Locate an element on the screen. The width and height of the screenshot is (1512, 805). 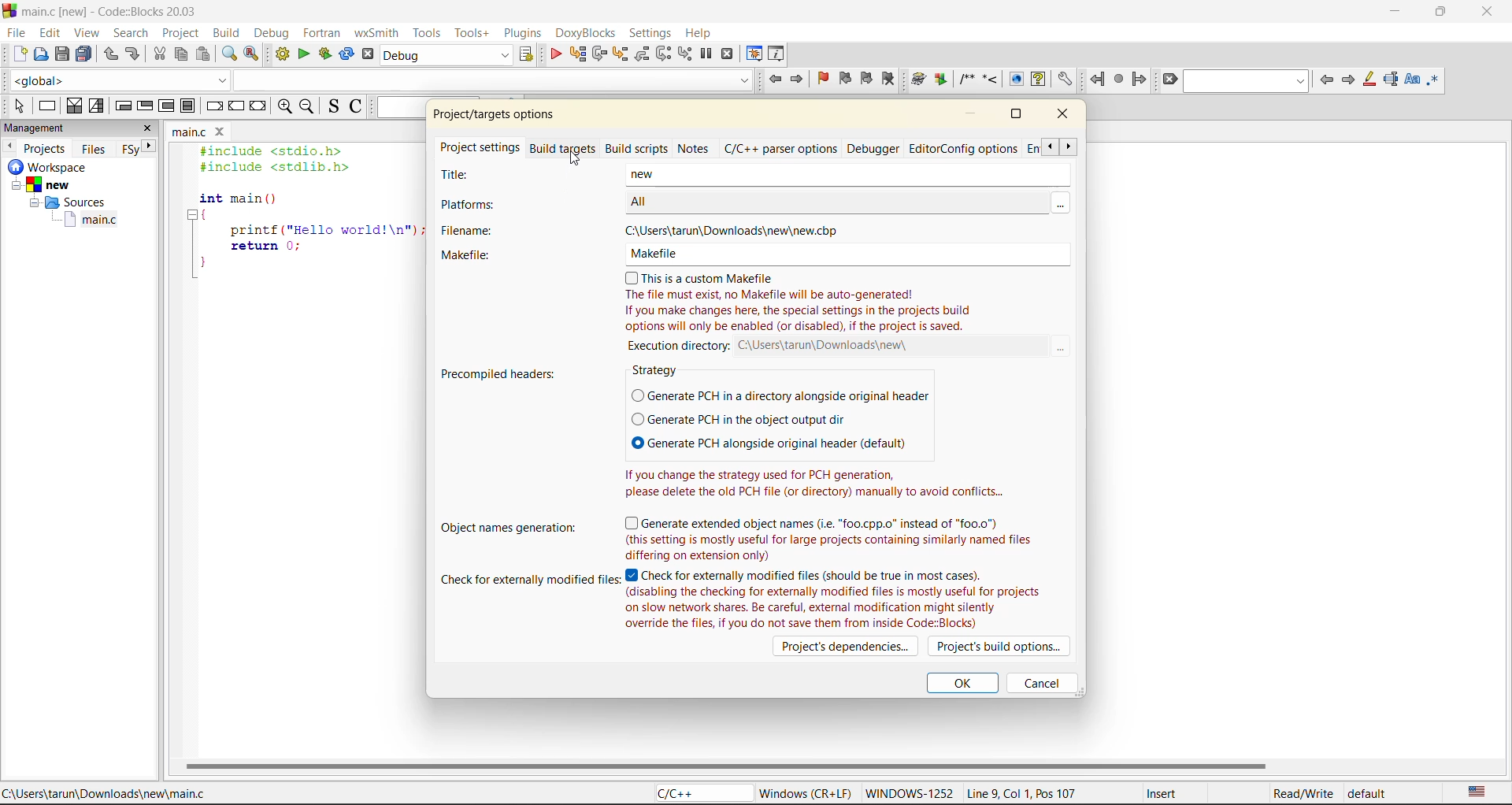
precompiled headers is located at coordinates (502, 373).